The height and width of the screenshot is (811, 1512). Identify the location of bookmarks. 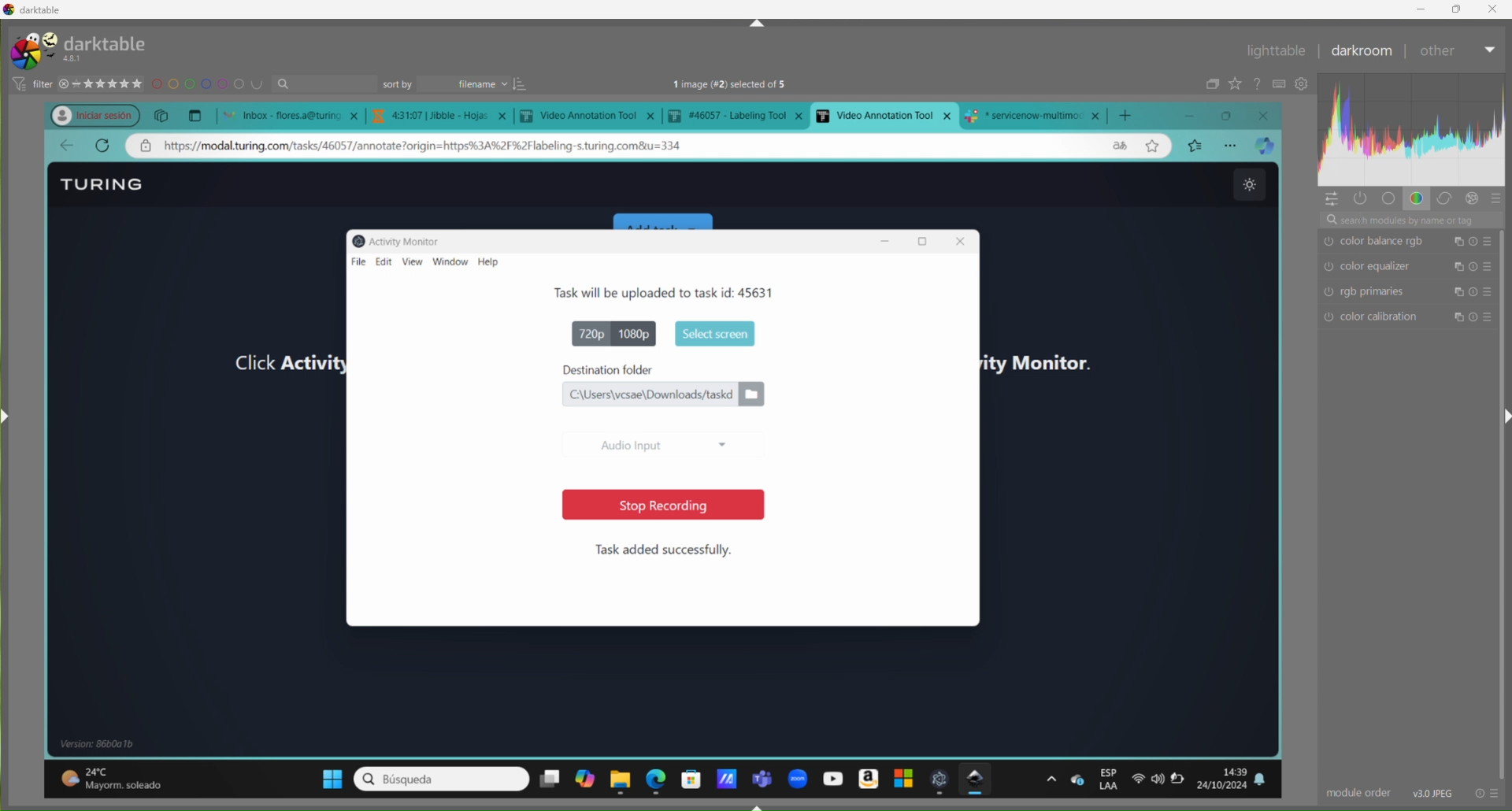
(1195, 145).